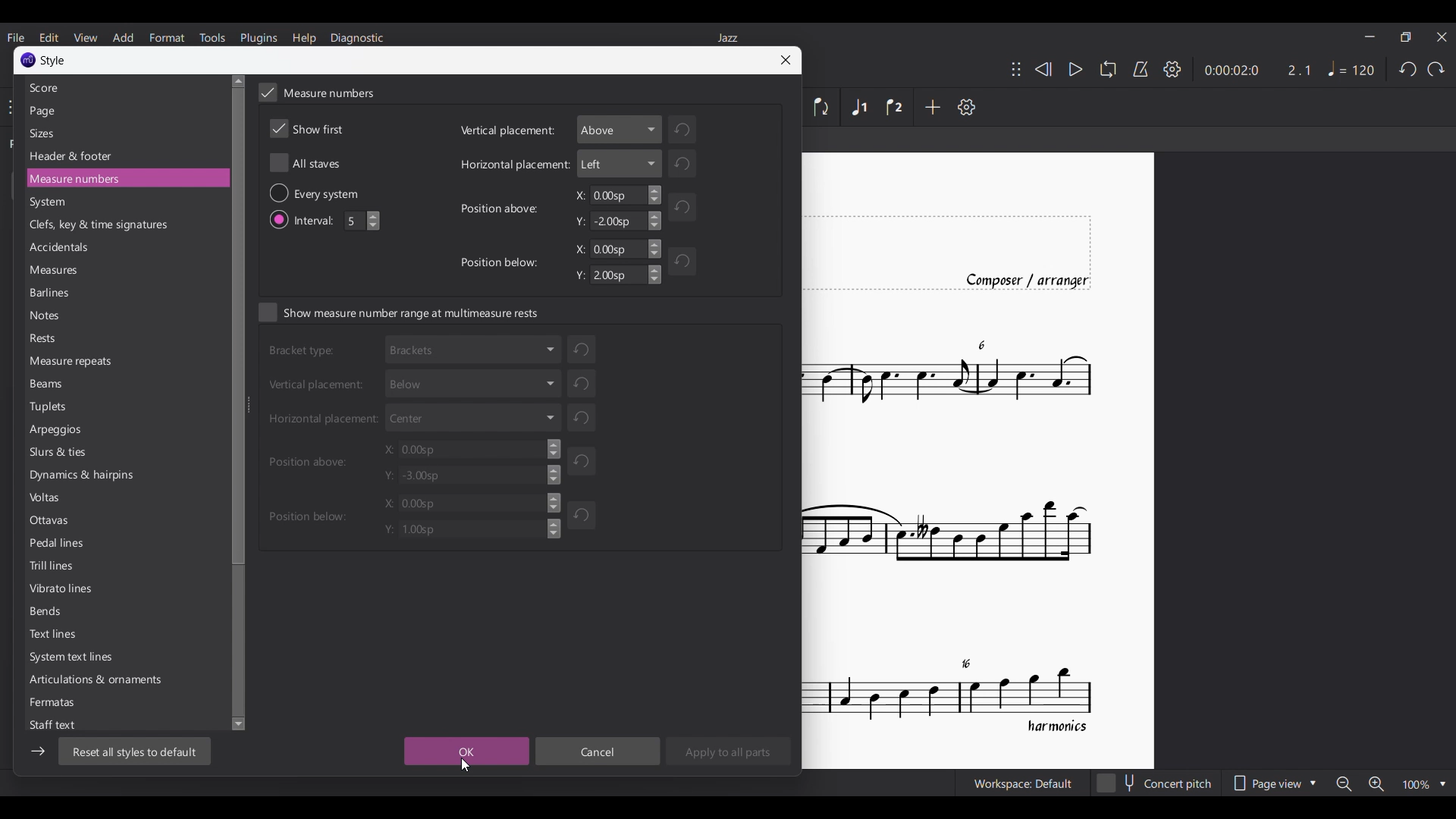 This screenshot has height=819, width=1456. Describe the element at coordinates (620, 129) in the screenshot. I see `List options for each` at that location.